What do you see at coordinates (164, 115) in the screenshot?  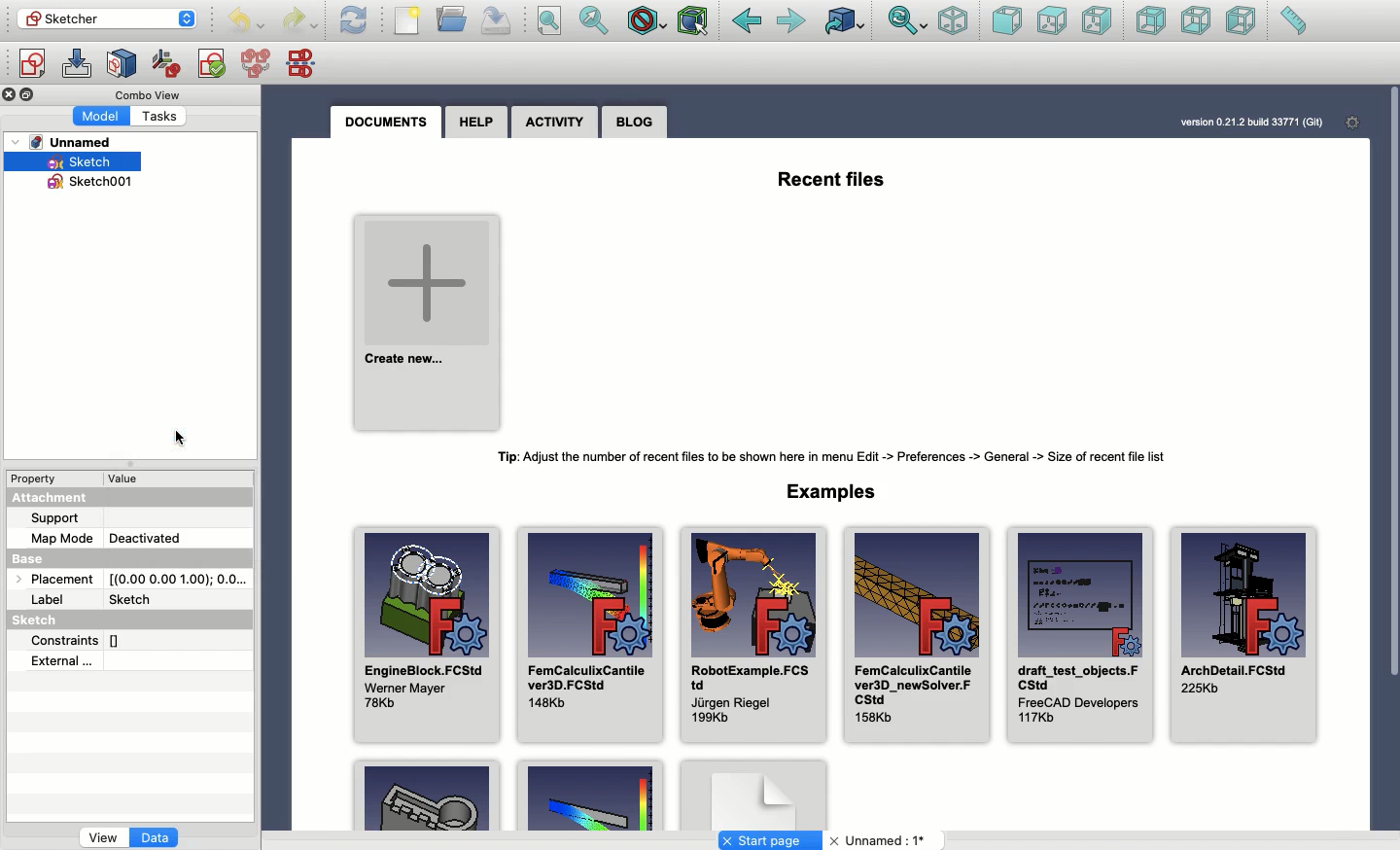 I see `Tasks` at bounding box center [164, 115].